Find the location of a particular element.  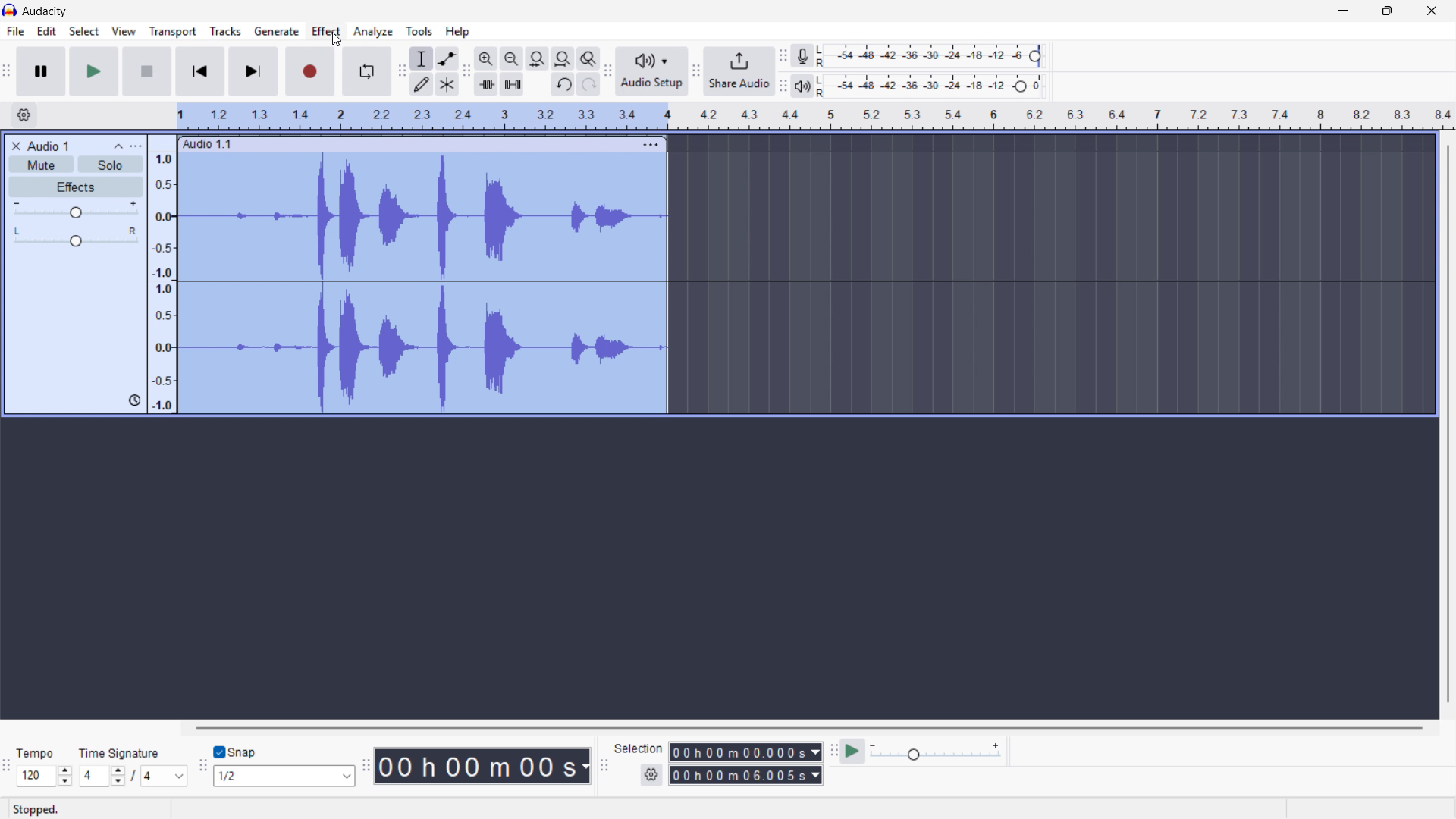

selection is located at coordinates (639, 748).